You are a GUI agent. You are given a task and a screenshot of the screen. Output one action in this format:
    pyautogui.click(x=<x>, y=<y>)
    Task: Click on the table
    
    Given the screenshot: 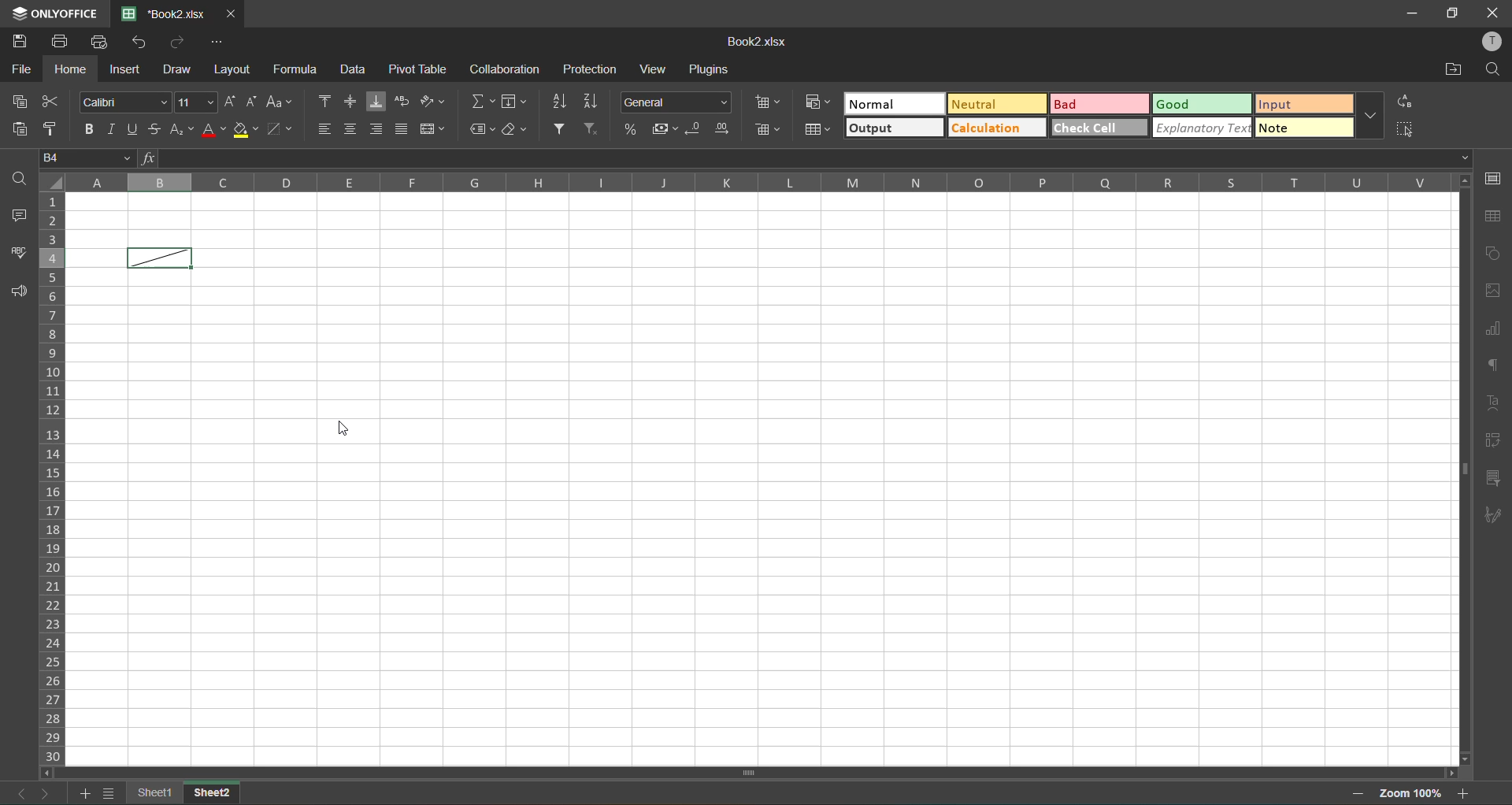 What is the action you would take?
    pyautogui.click(x=1492, y=217)
    